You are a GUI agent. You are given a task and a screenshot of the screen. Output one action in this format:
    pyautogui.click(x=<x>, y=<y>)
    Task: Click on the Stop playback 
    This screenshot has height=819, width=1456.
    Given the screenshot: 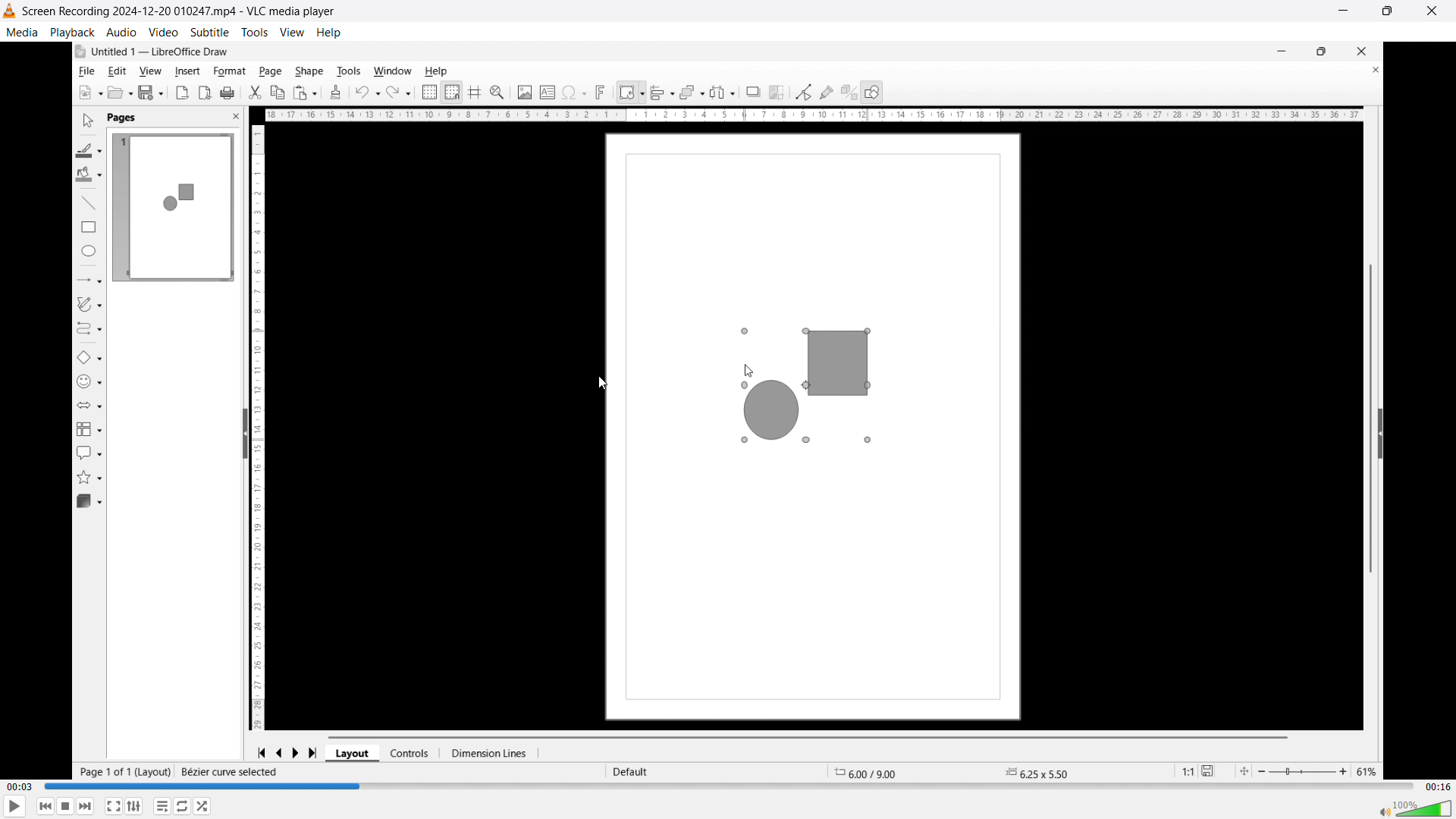 What is the action you would take?
    pyautogui.click(x=66, y=806)
    